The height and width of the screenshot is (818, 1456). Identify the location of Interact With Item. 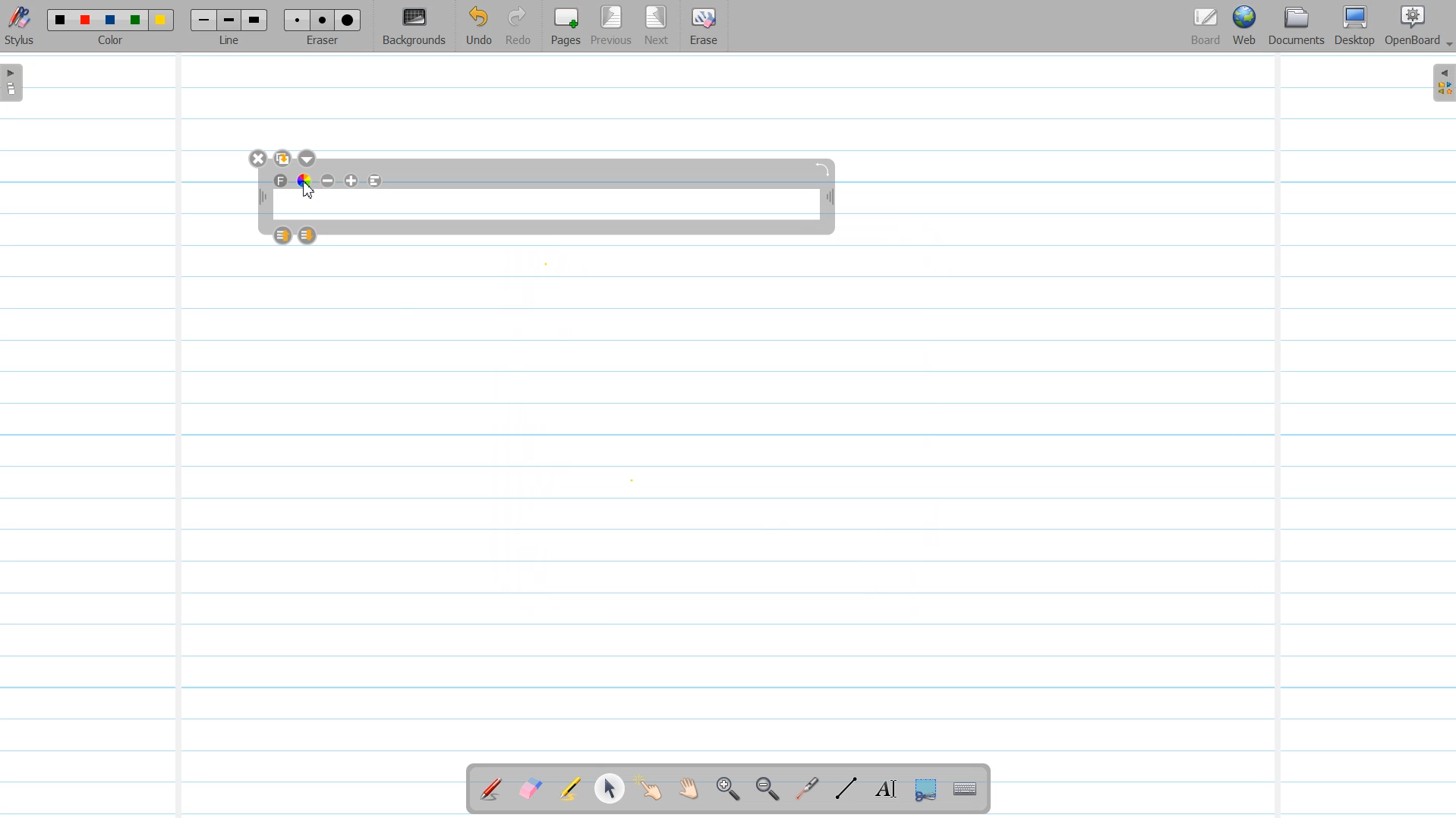
(649, 790).